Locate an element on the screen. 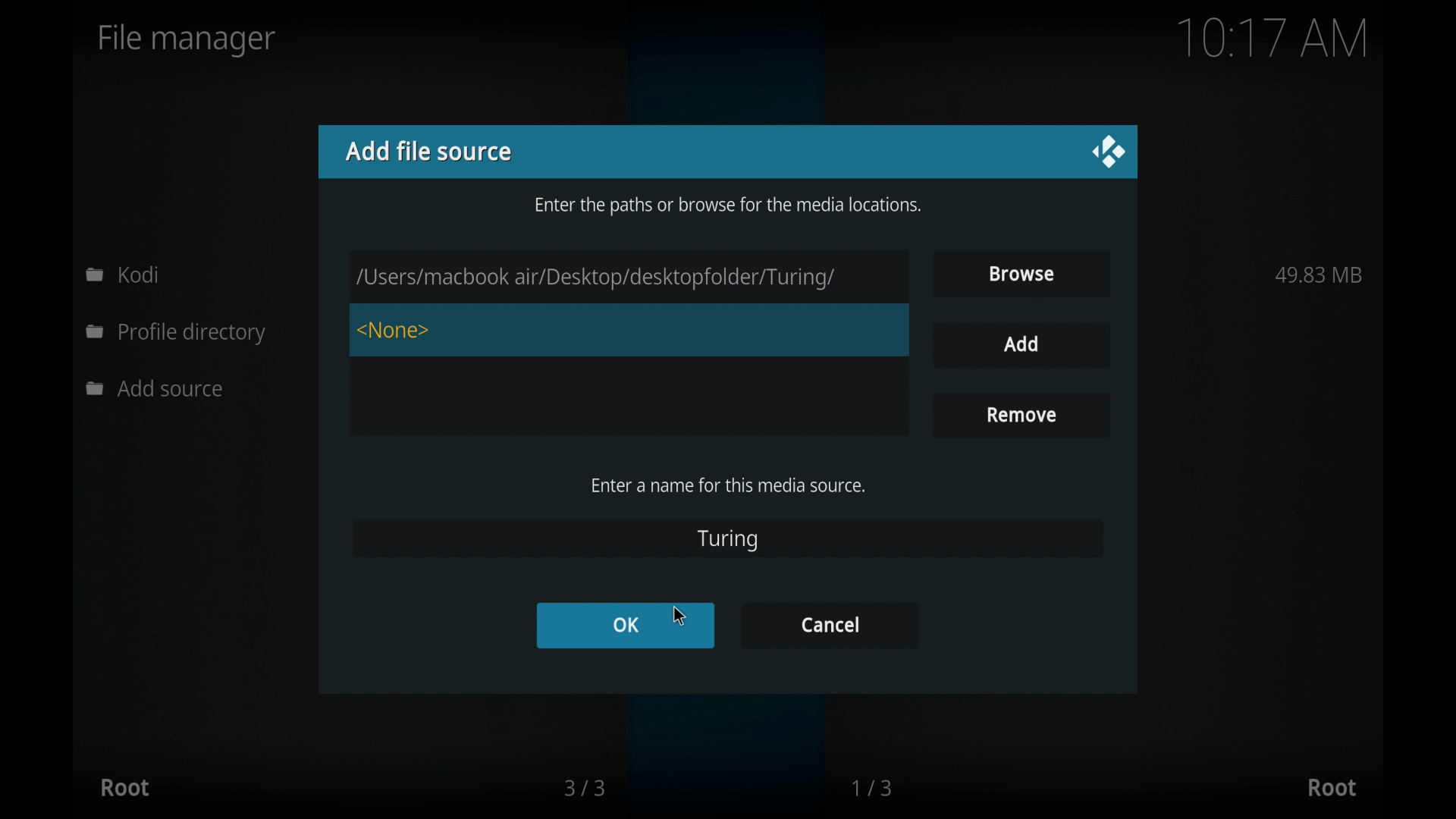 This screenshot has height=819, width=1456. turing is located at coordinates (728, 539).